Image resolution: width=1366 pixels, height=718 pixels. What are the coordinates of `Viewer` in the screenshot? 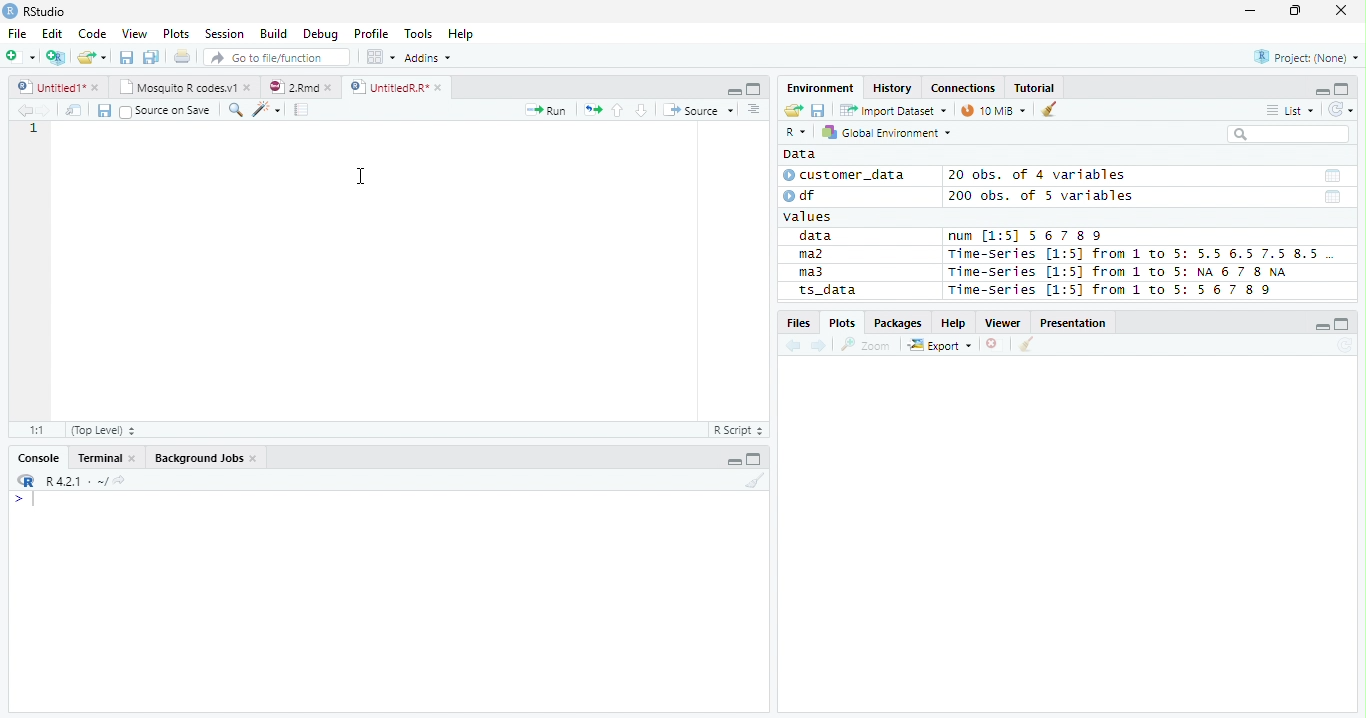 It's located at (1006, 323).